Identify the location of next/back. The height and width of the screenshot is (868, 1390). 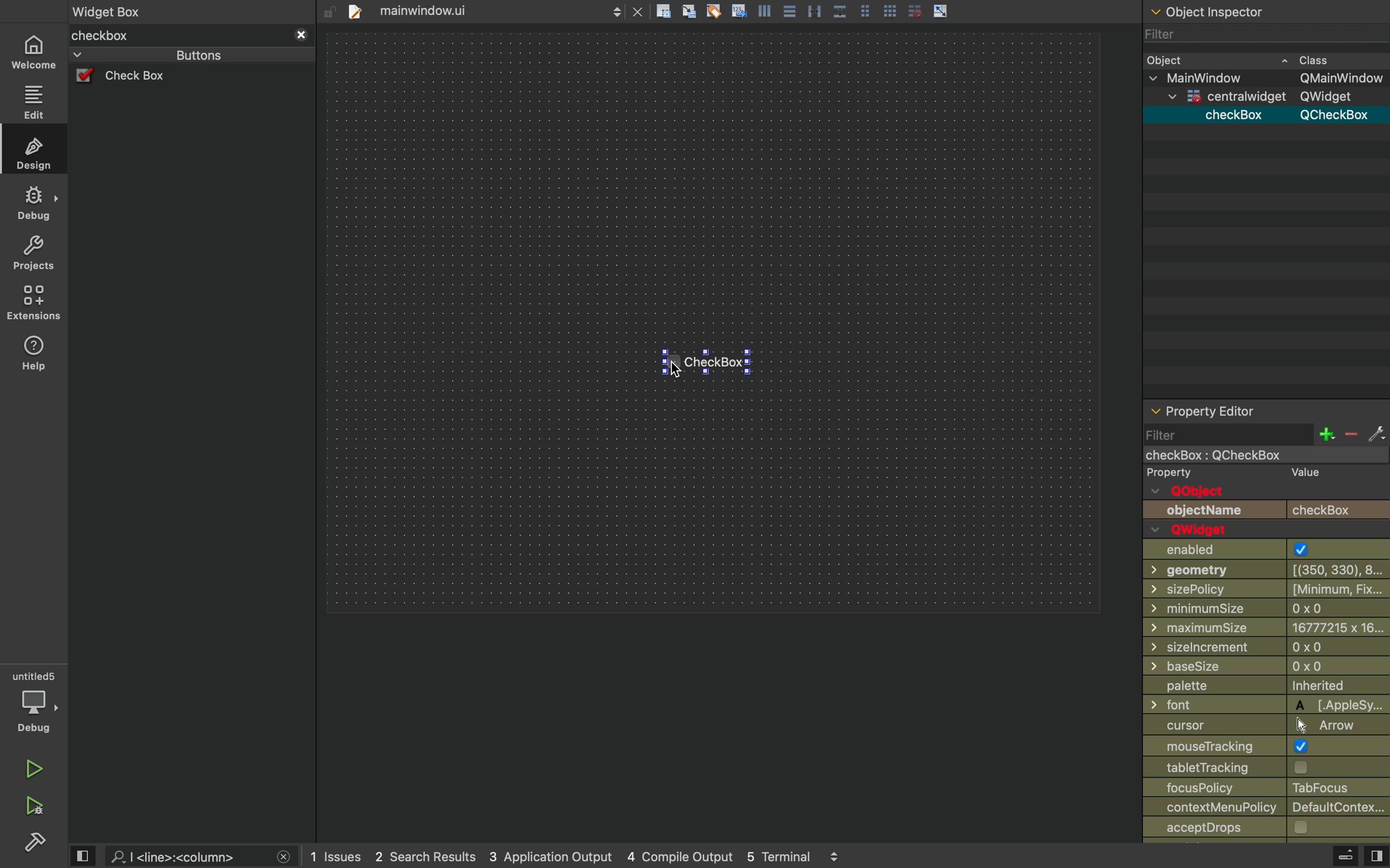
(617, 10).